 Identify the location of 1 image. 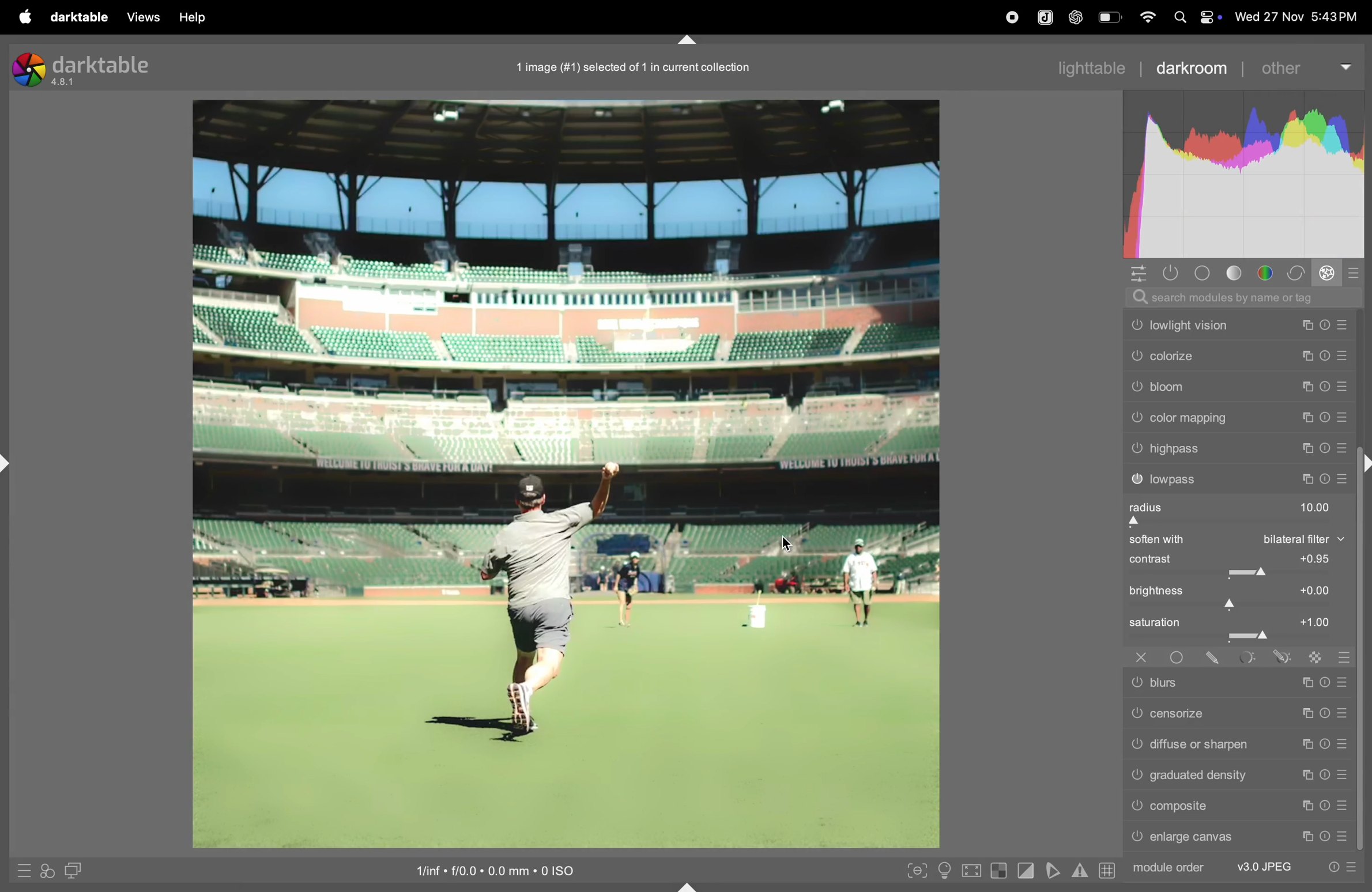
(634, 67).